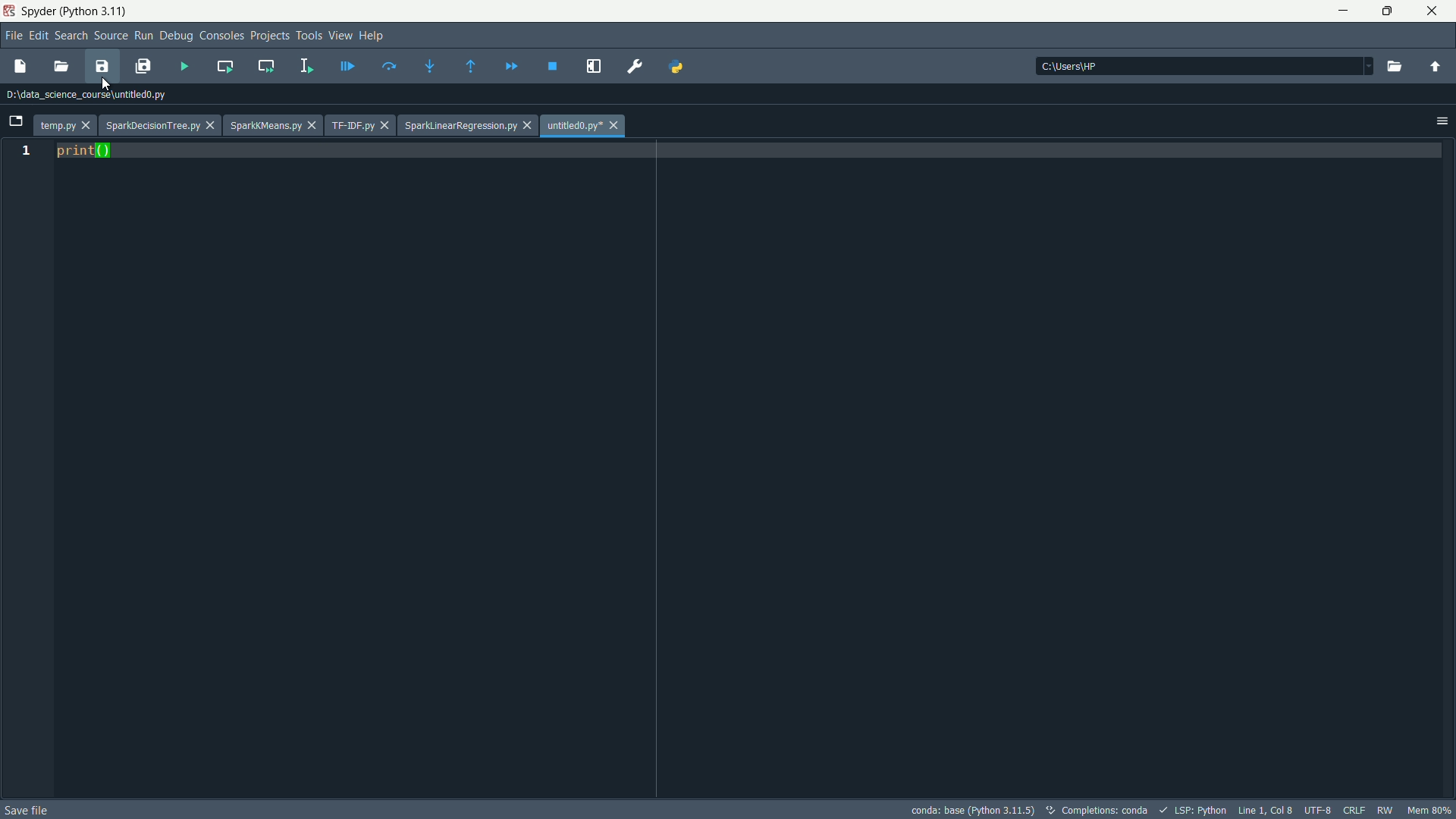 Image resolution: width=1456 pixels, height=819 pixels. I want to click on , so click(339, 34).